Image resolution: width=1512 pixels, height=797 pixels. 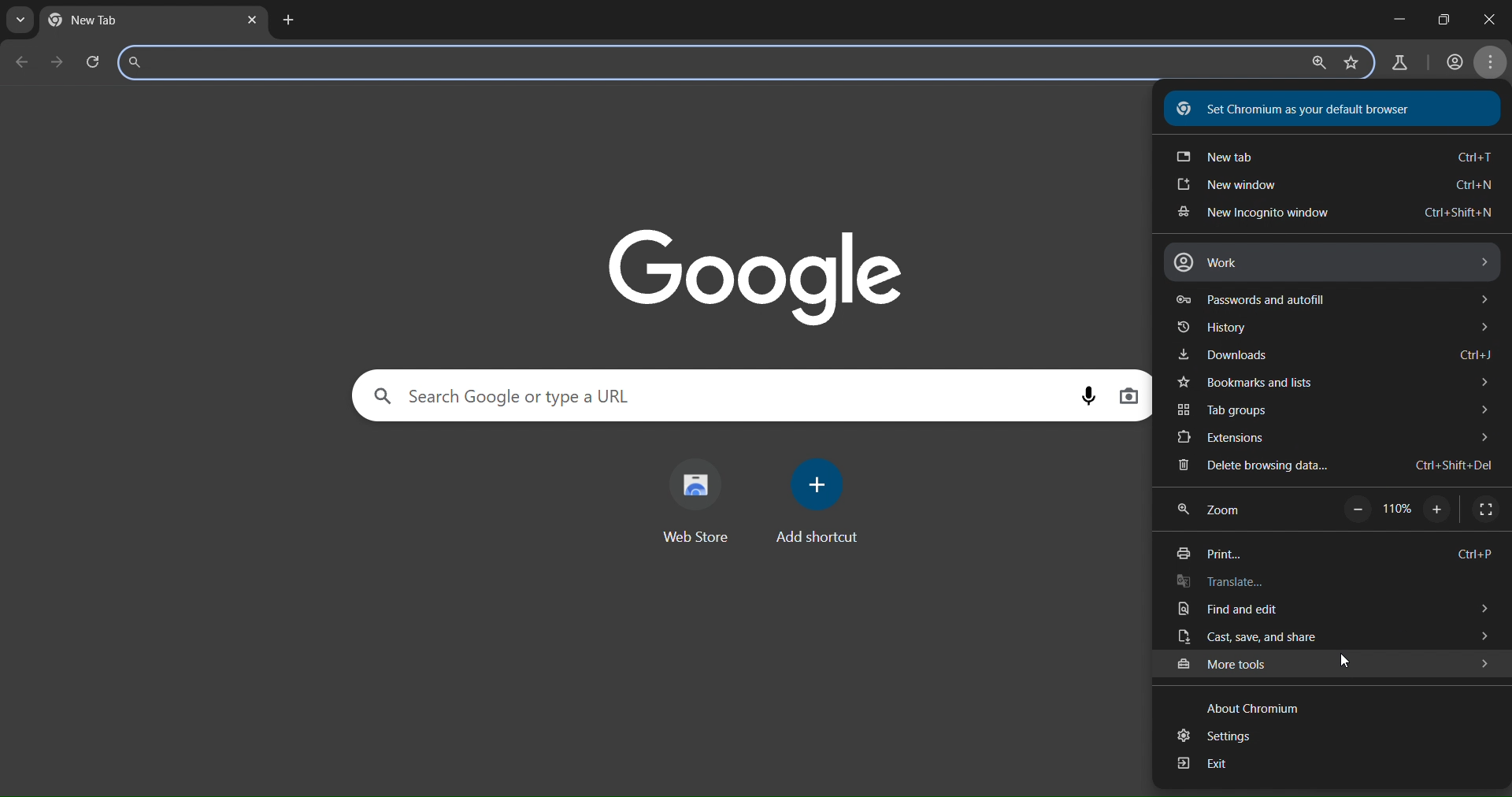 What do you see at coordinates (60, 63) in the screenshot?
I see `go forward one page` at bounding box center [60, 63].